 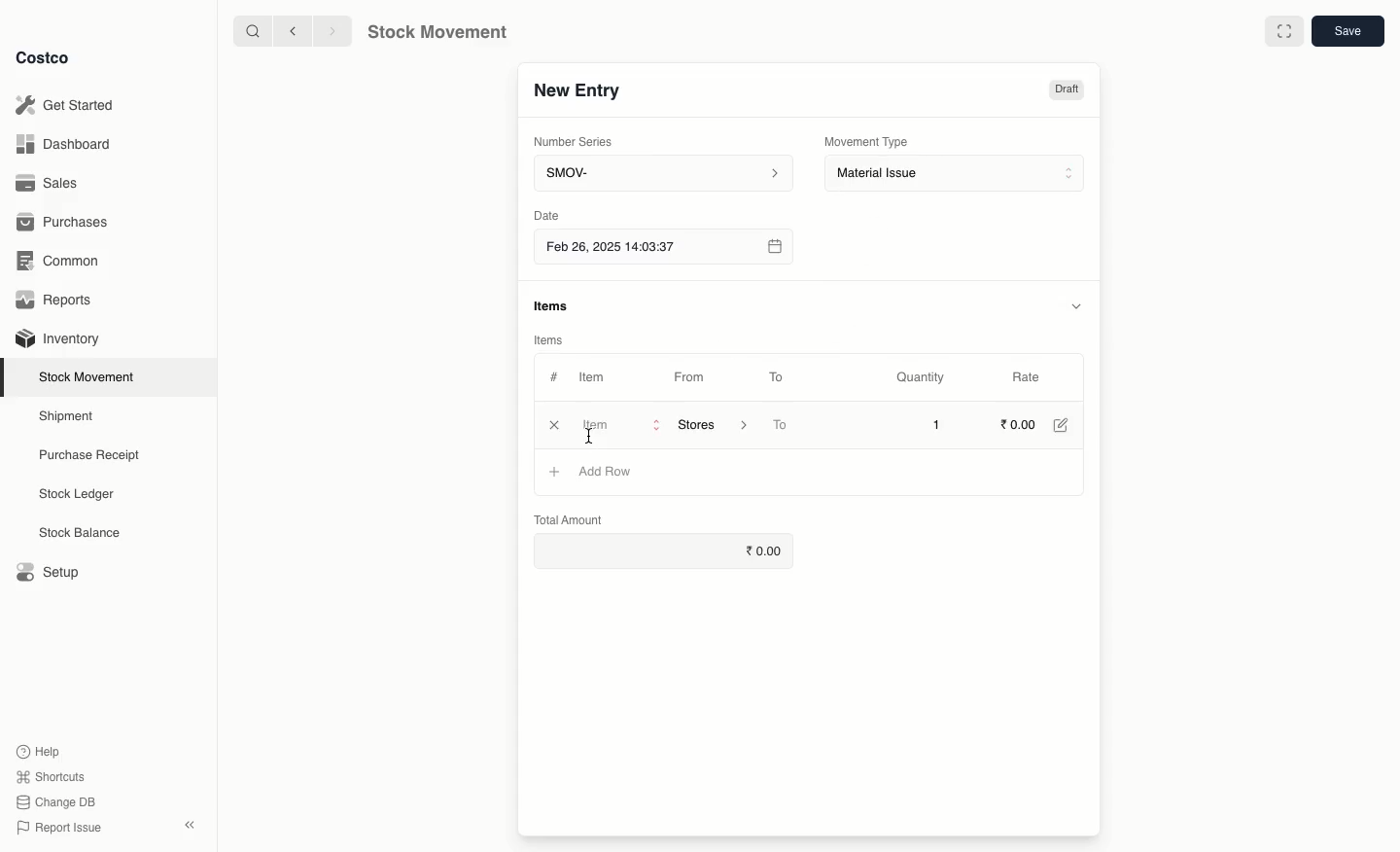 What do you see at coordinates (546, 339) in the screenshot?
I see `Items` at bounding box center [546, 339].